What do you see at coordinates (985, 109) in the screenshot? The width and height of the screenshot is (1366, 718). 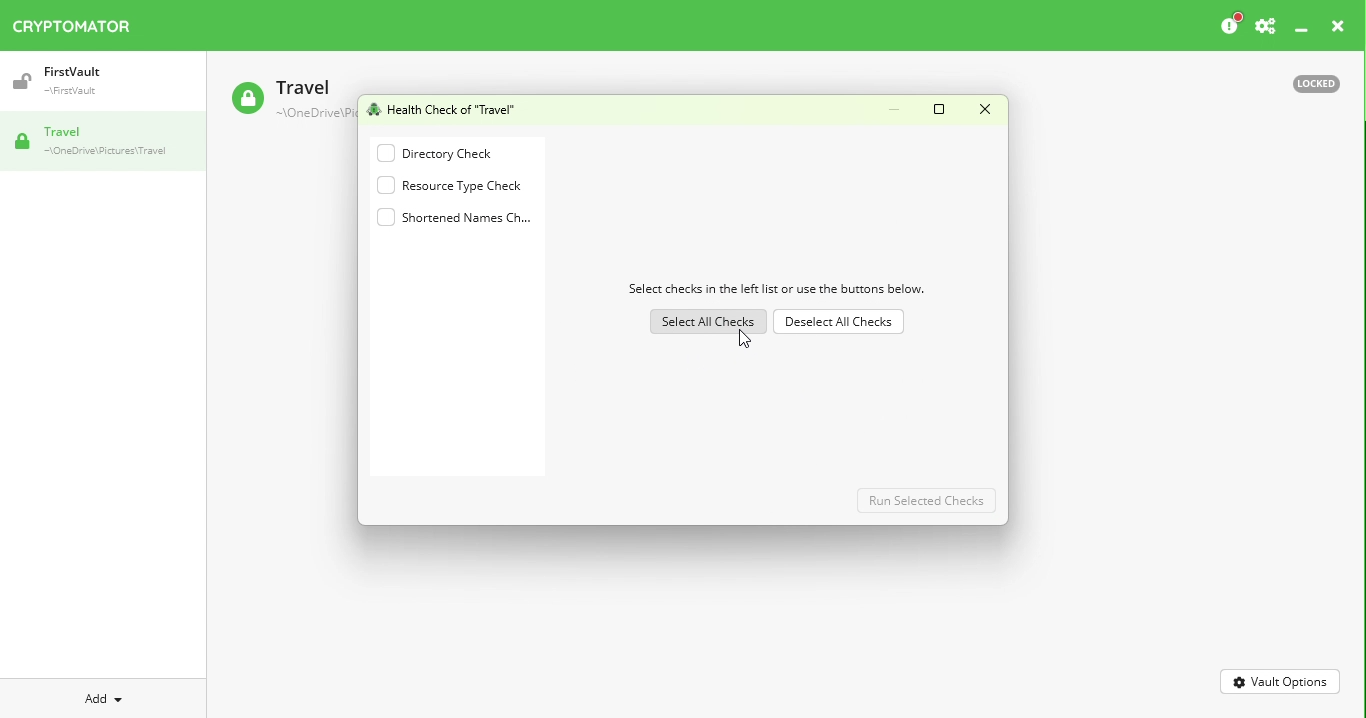 I see `Close` at bounding box center [985, 109].